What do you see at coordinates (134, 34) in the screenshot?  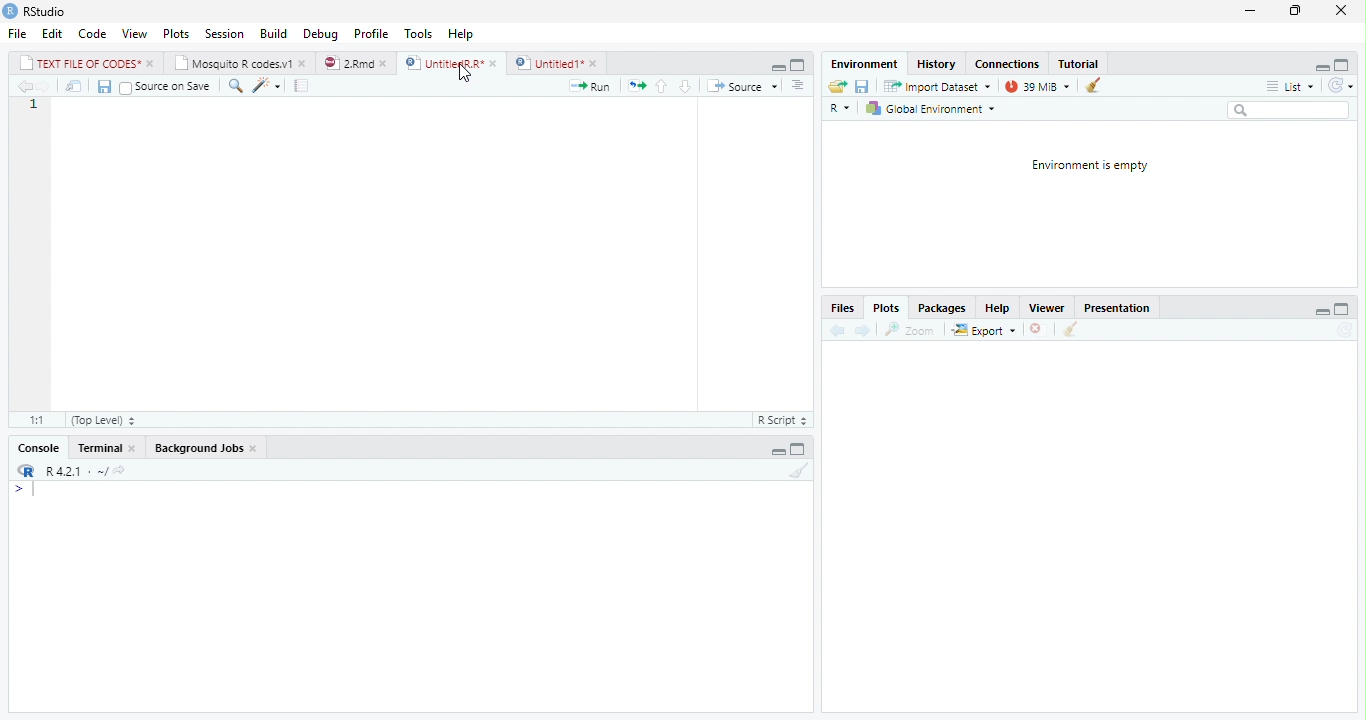 I see `View` at bounding box center [134, 34].